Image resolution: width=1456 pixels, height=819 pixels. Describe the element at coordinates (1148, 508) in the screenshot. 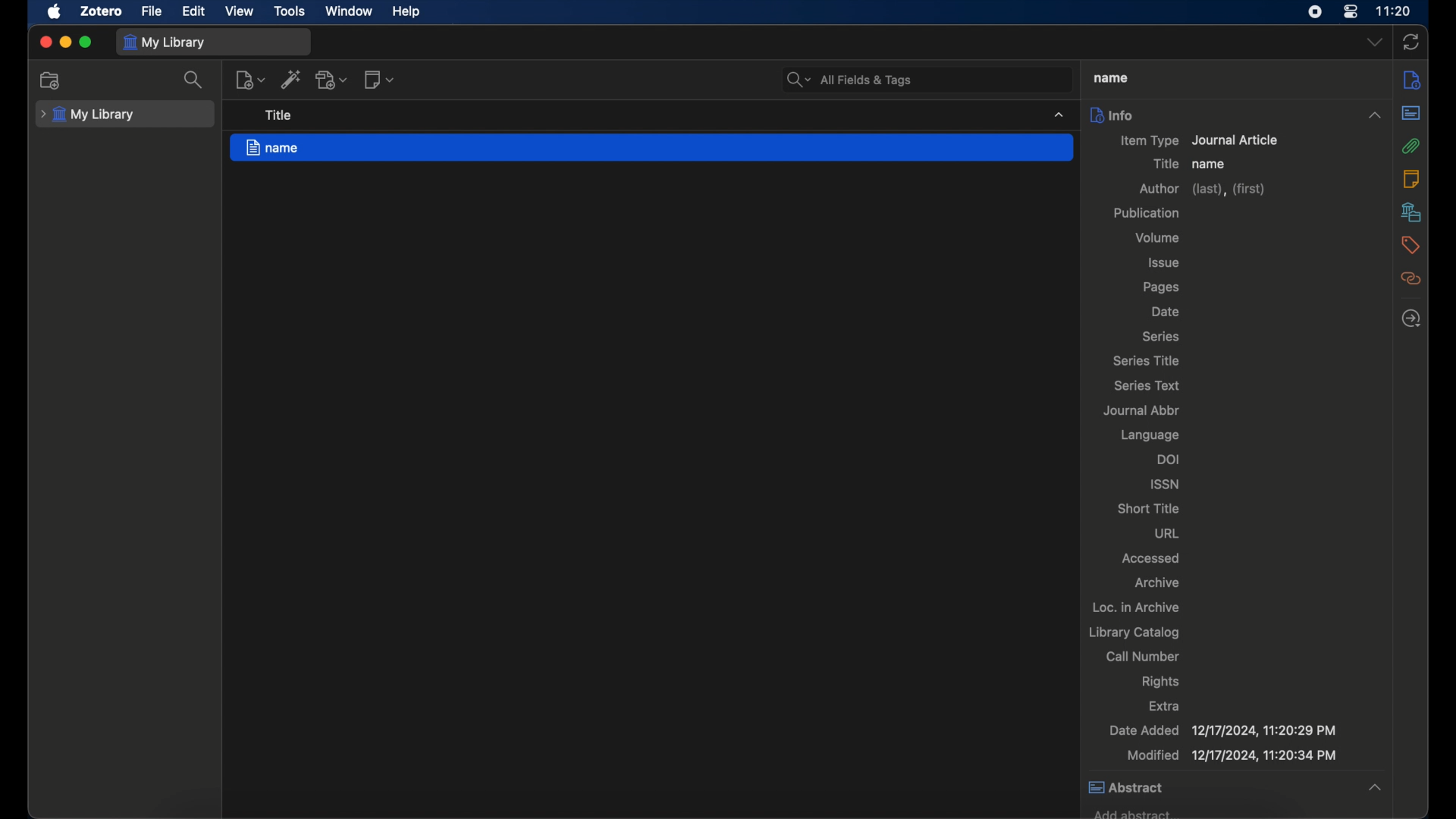

I see `short title` at that location.